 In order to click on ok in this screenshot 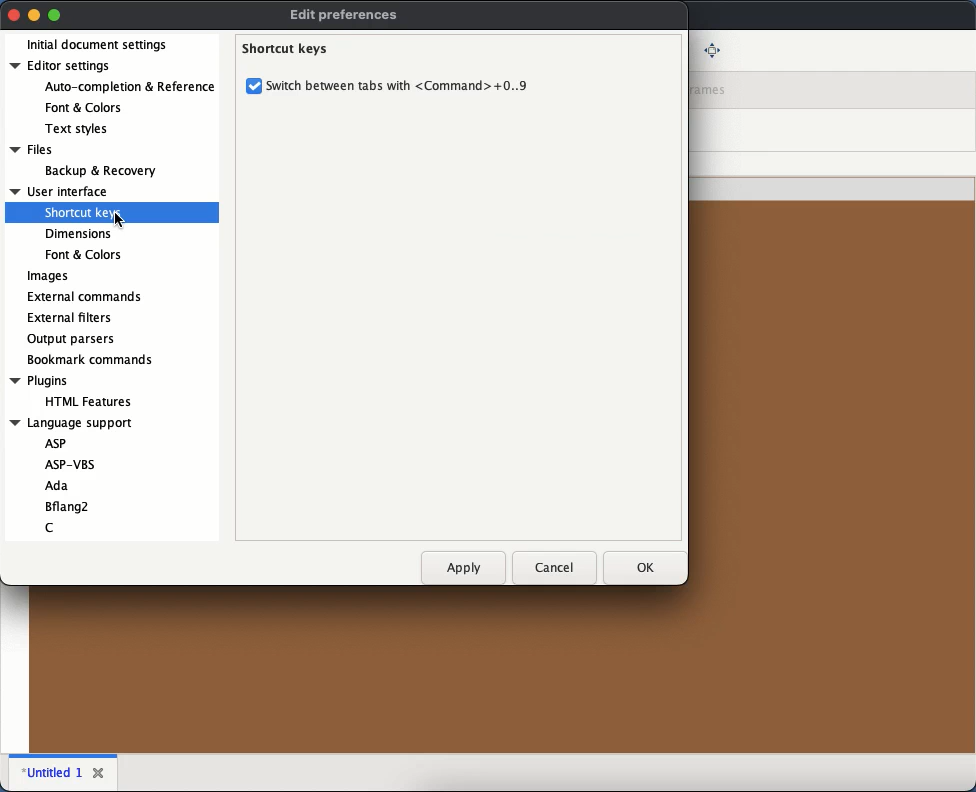, I will do `click(639, 568)`.